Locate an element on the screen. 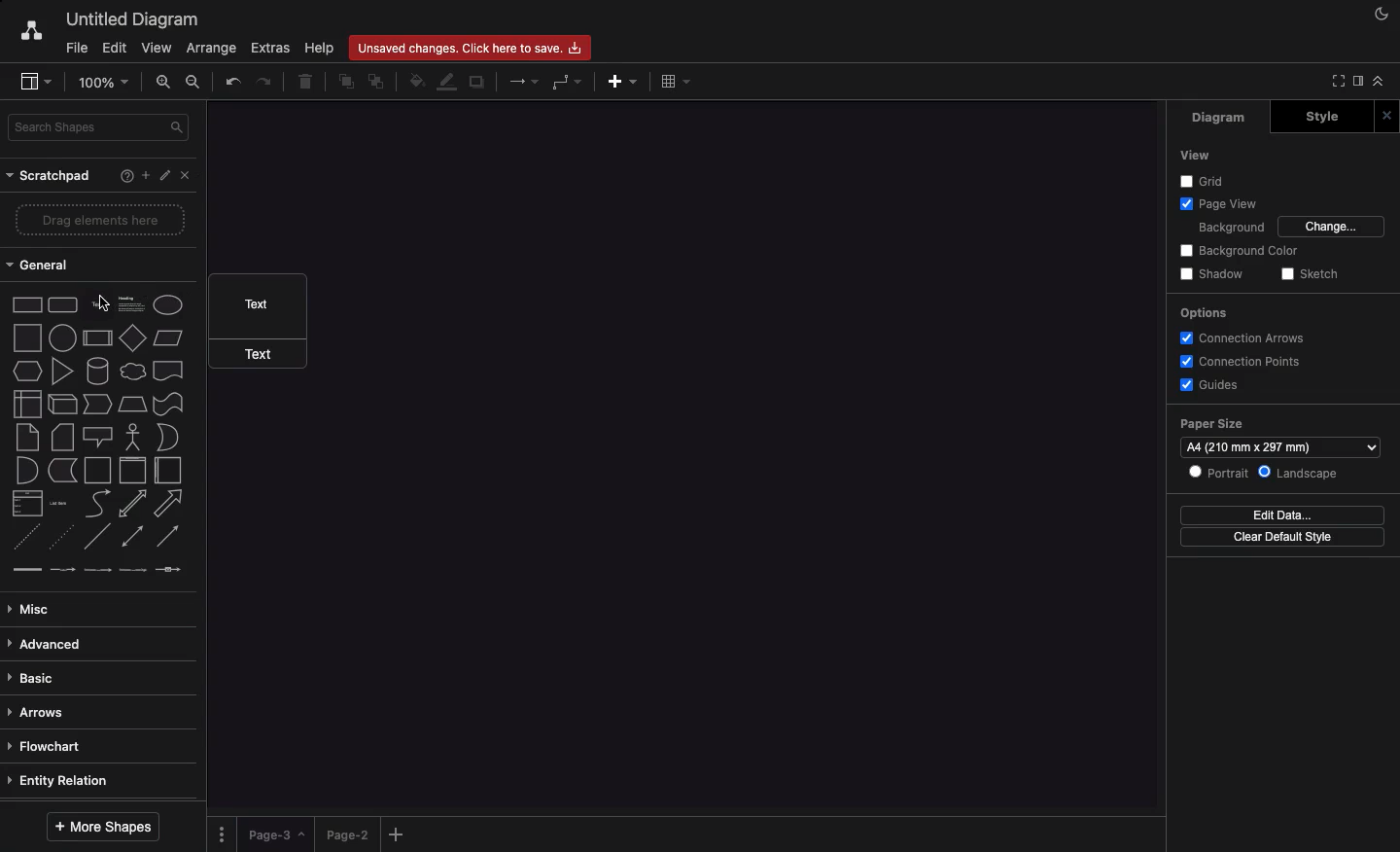 The image size is (1400, 852). curve is located at coordinates (98, 502).